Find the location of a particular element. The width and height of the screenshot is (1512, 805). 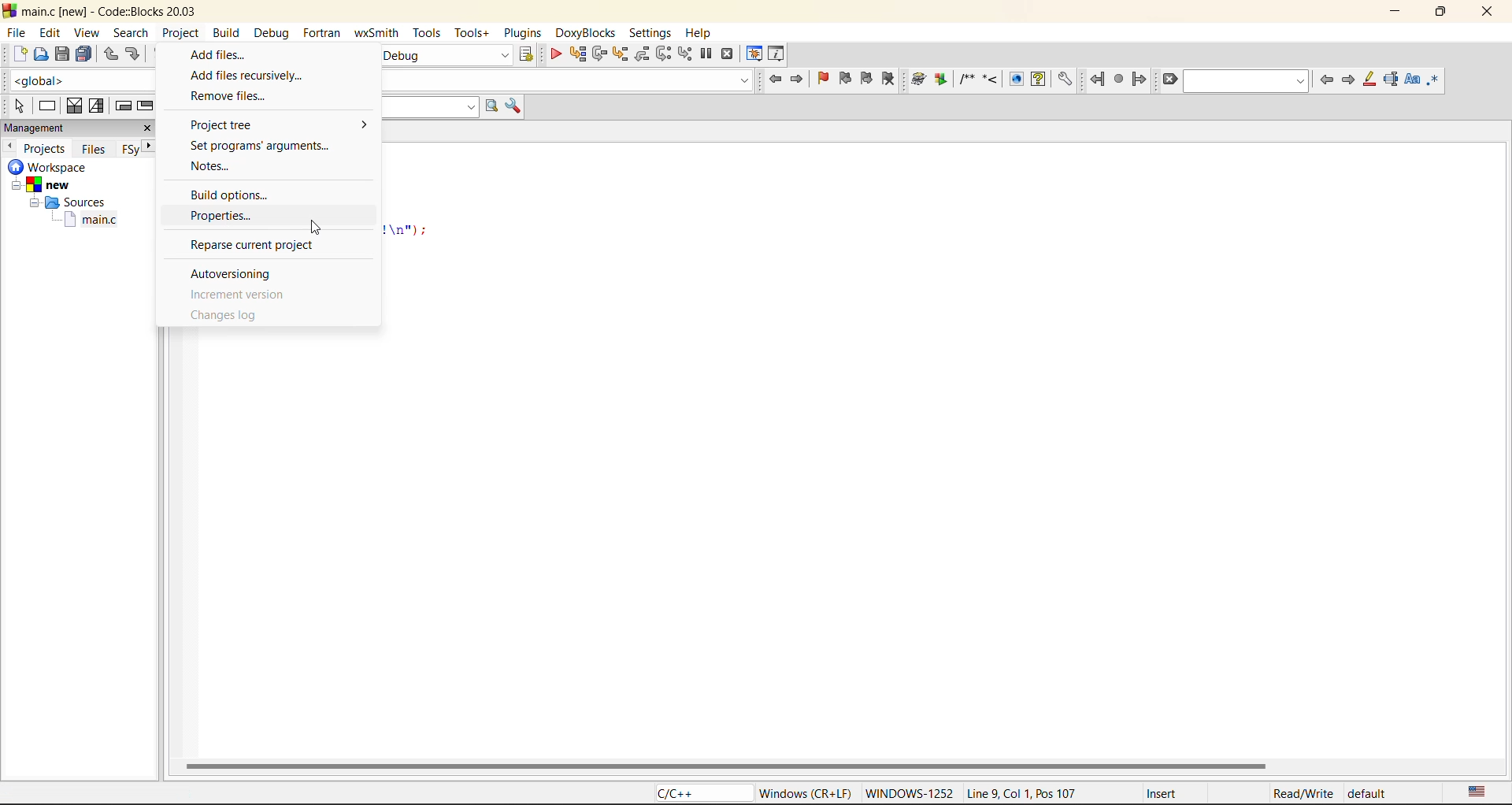

Run HTML Help documentation is located at coordinates (1039, 80).